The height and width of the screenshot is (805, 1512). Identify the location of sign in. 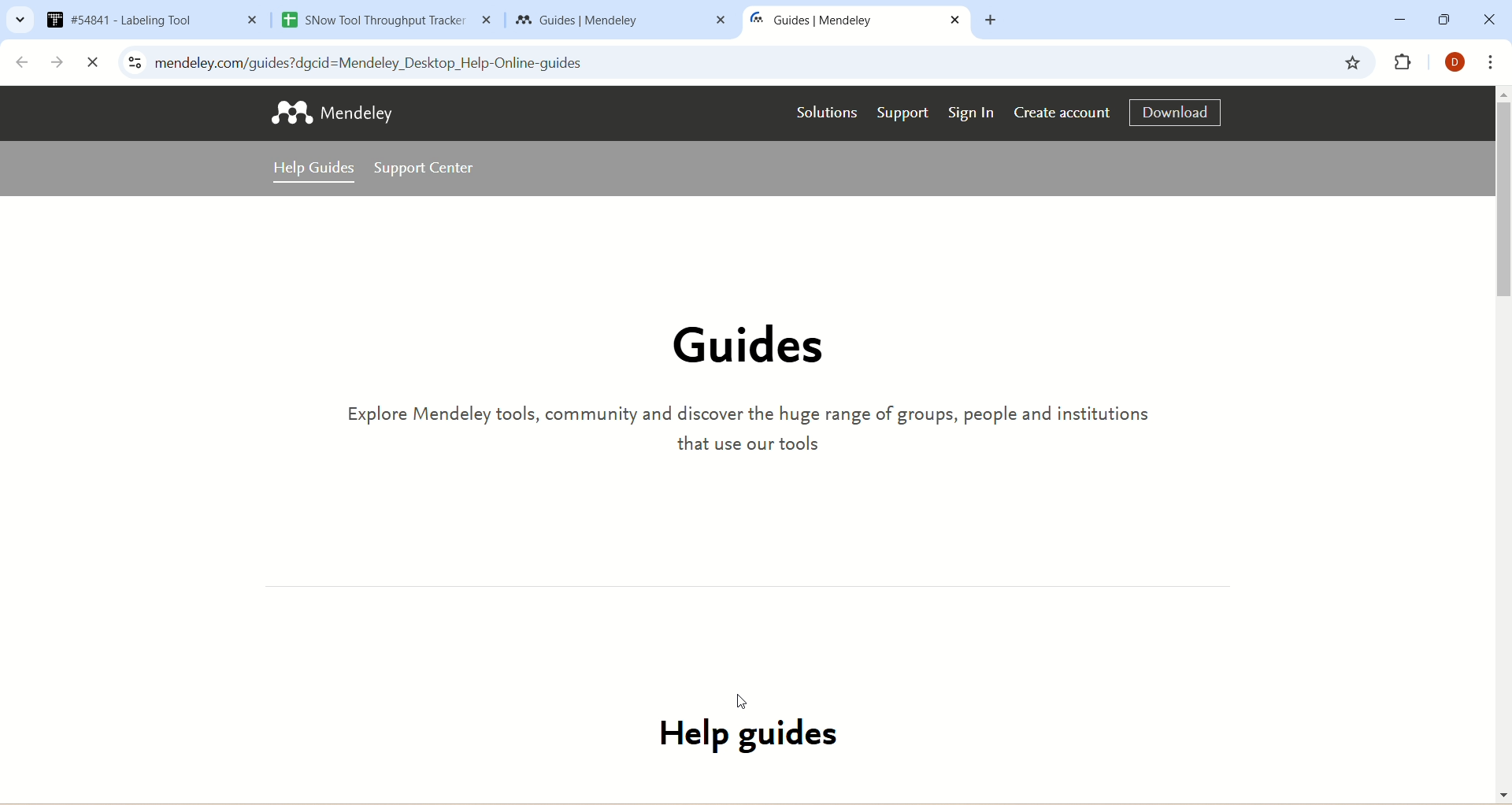
(971, 113).